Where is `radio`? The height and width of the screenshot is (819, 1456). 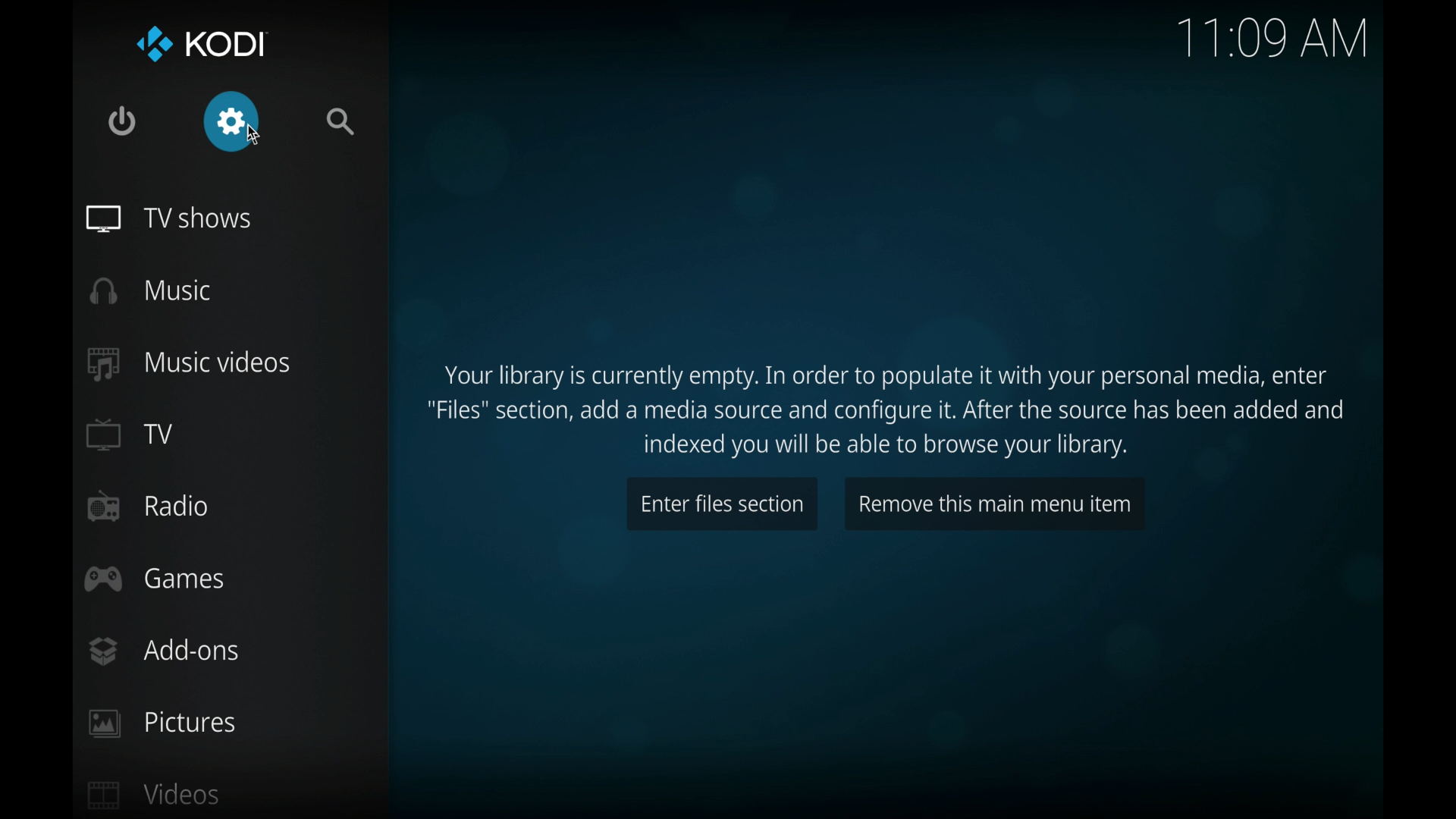
radio is located at coordinates (147, 506).